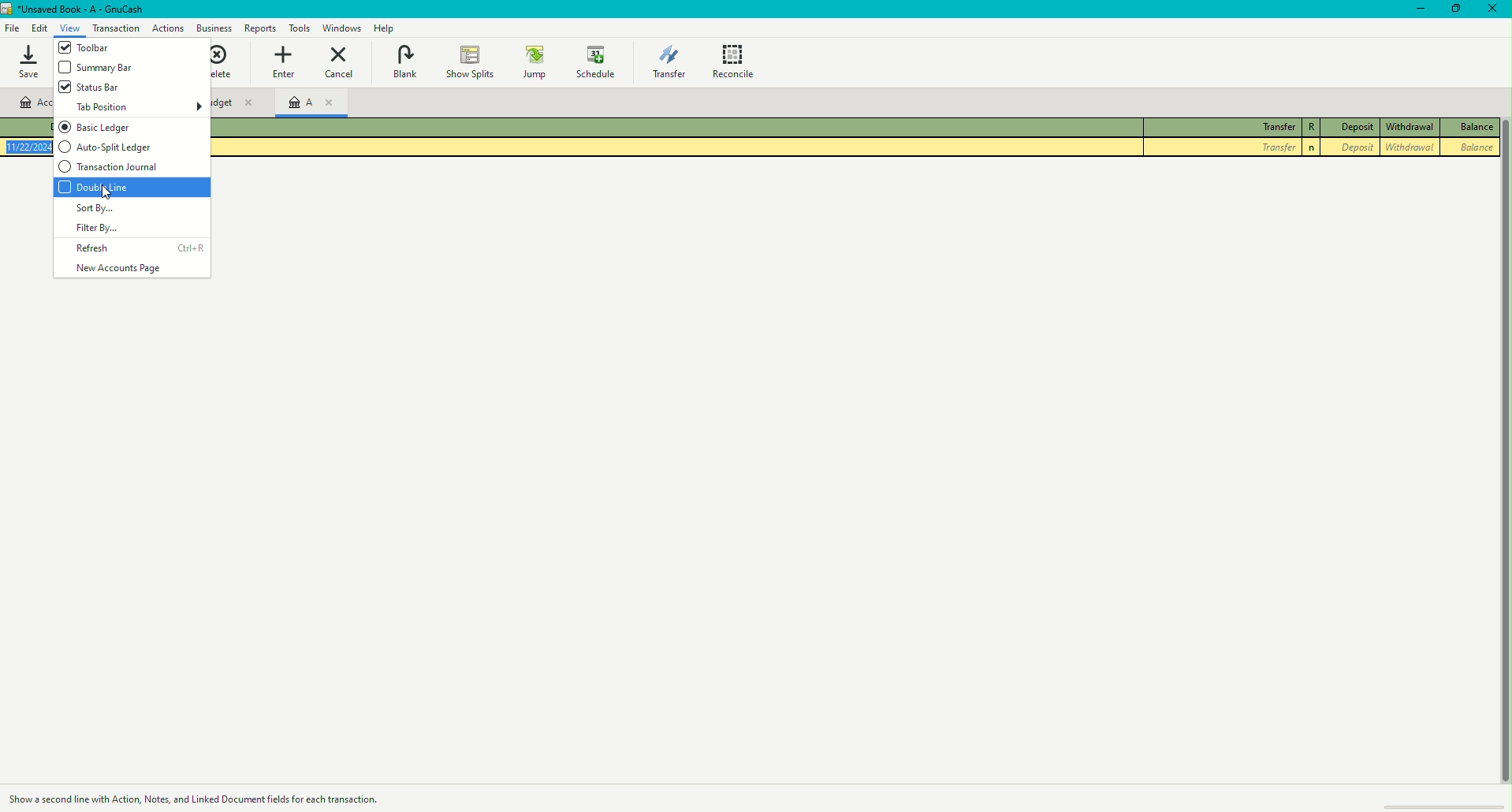  I want to click on Business, so click(166, 28).